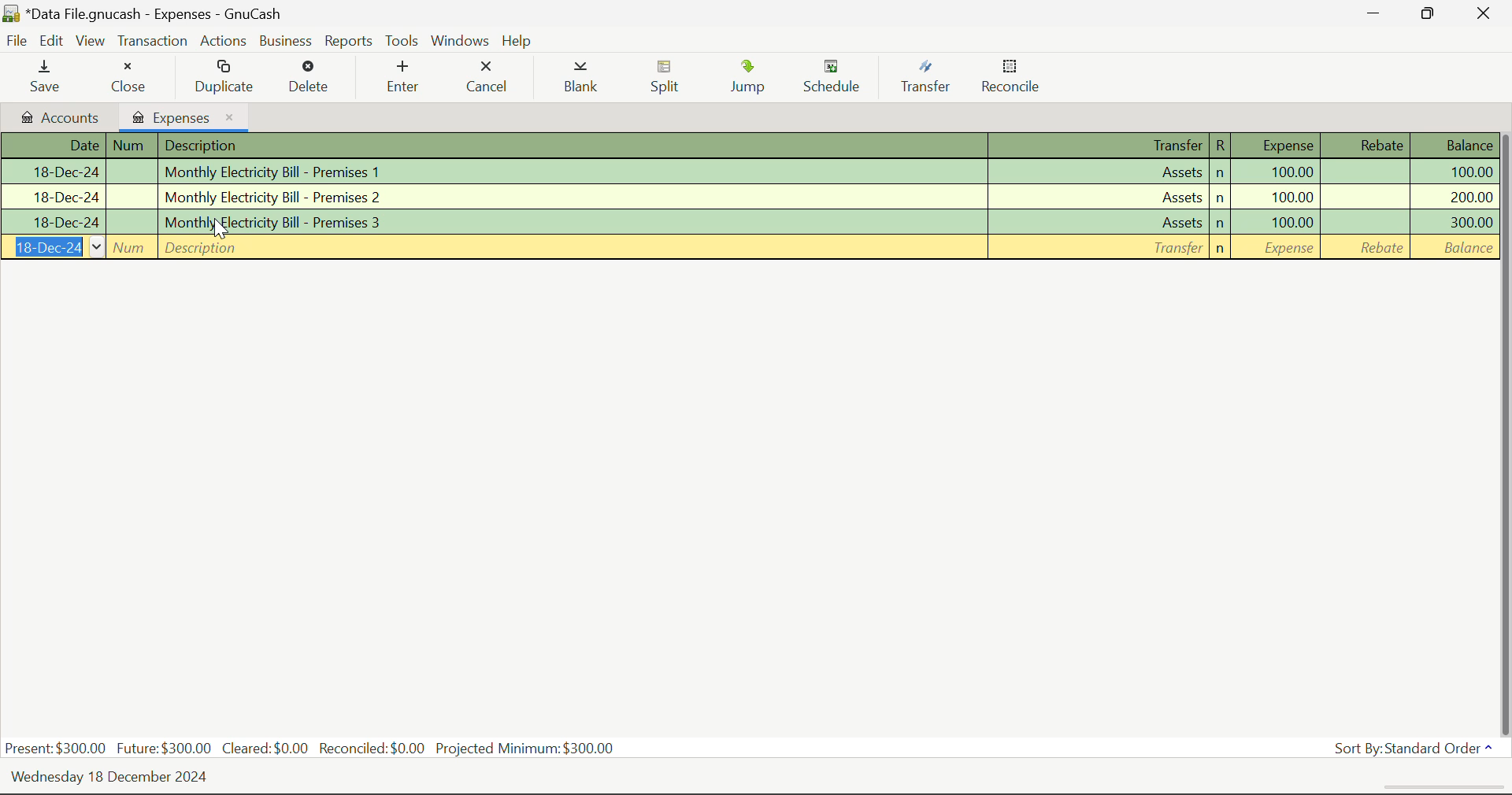 This screenshot has width=1512, height=795. Describe the element at coordinates (519, 39) in the screenshot. I see `Help` at that location.